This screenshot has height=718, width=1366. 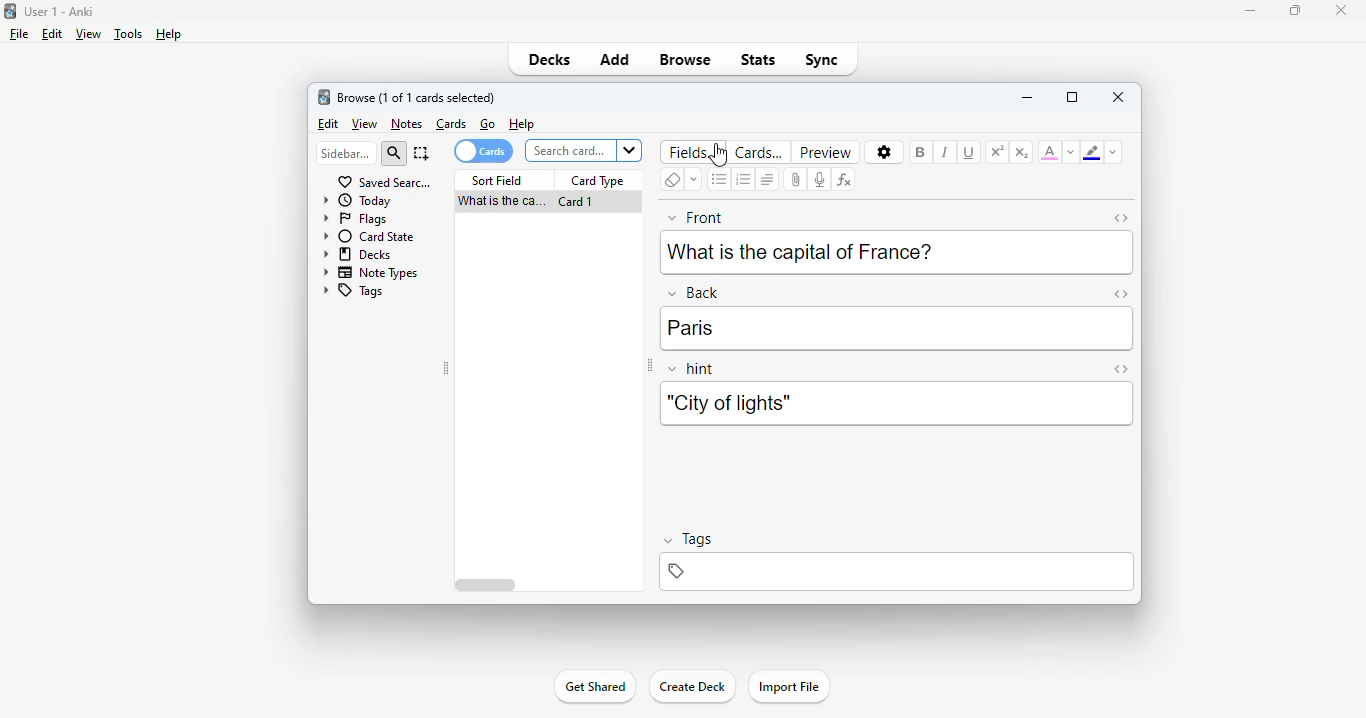 I want to click on unordered list, so click(x=720, y=180).